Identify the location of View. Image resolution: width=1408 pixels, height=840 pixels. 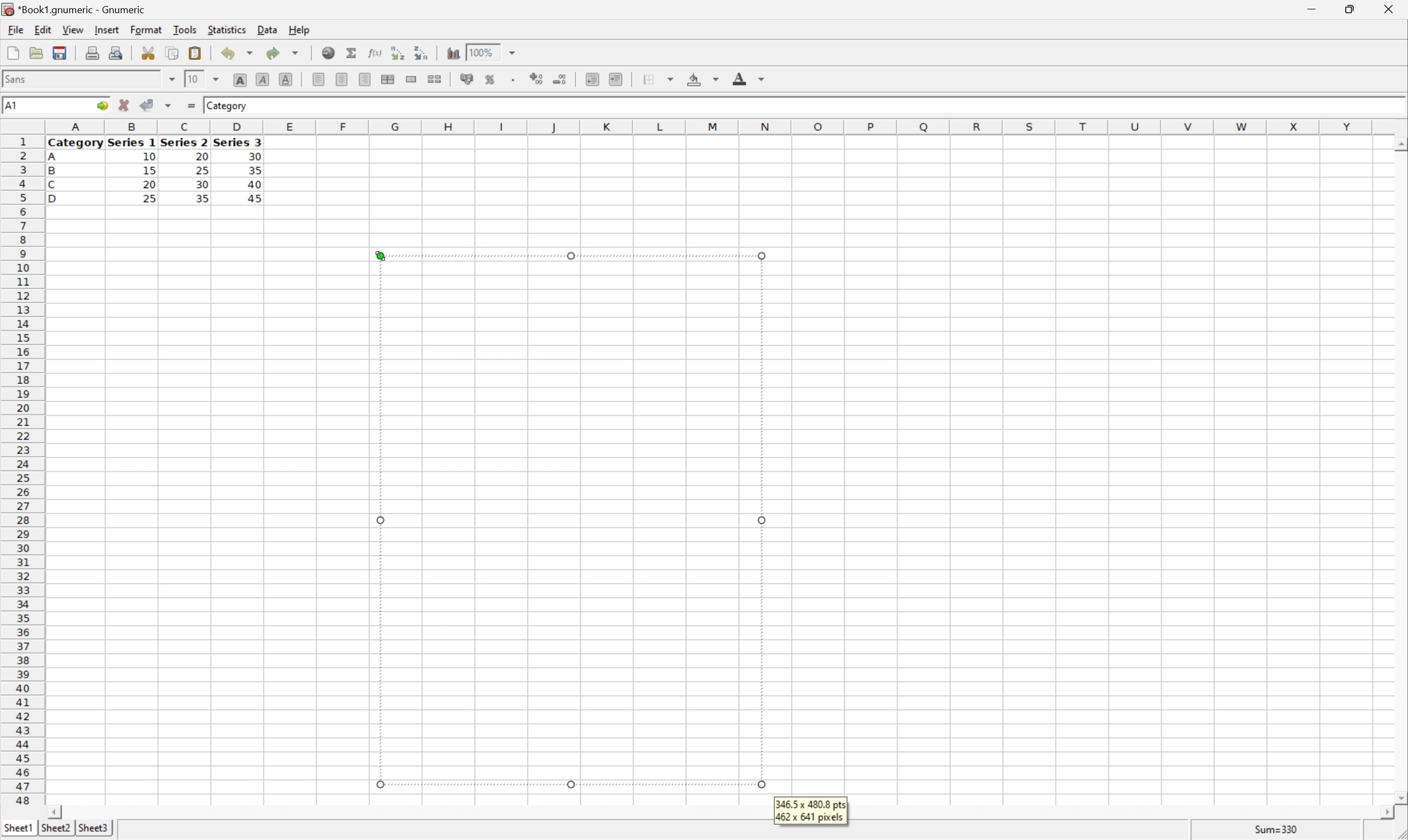
(73, 29).